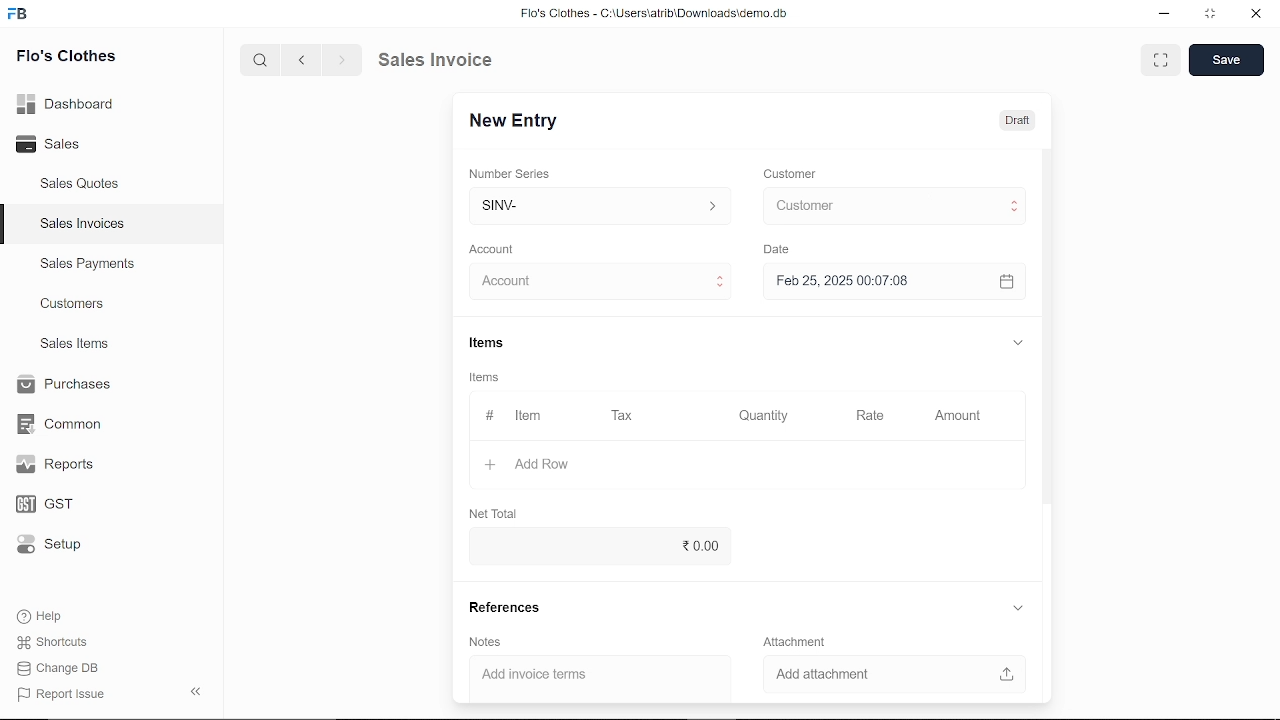  Describe the element at coordinates (532, 464) in the screenshot. I see `+ Add Row` at that location.